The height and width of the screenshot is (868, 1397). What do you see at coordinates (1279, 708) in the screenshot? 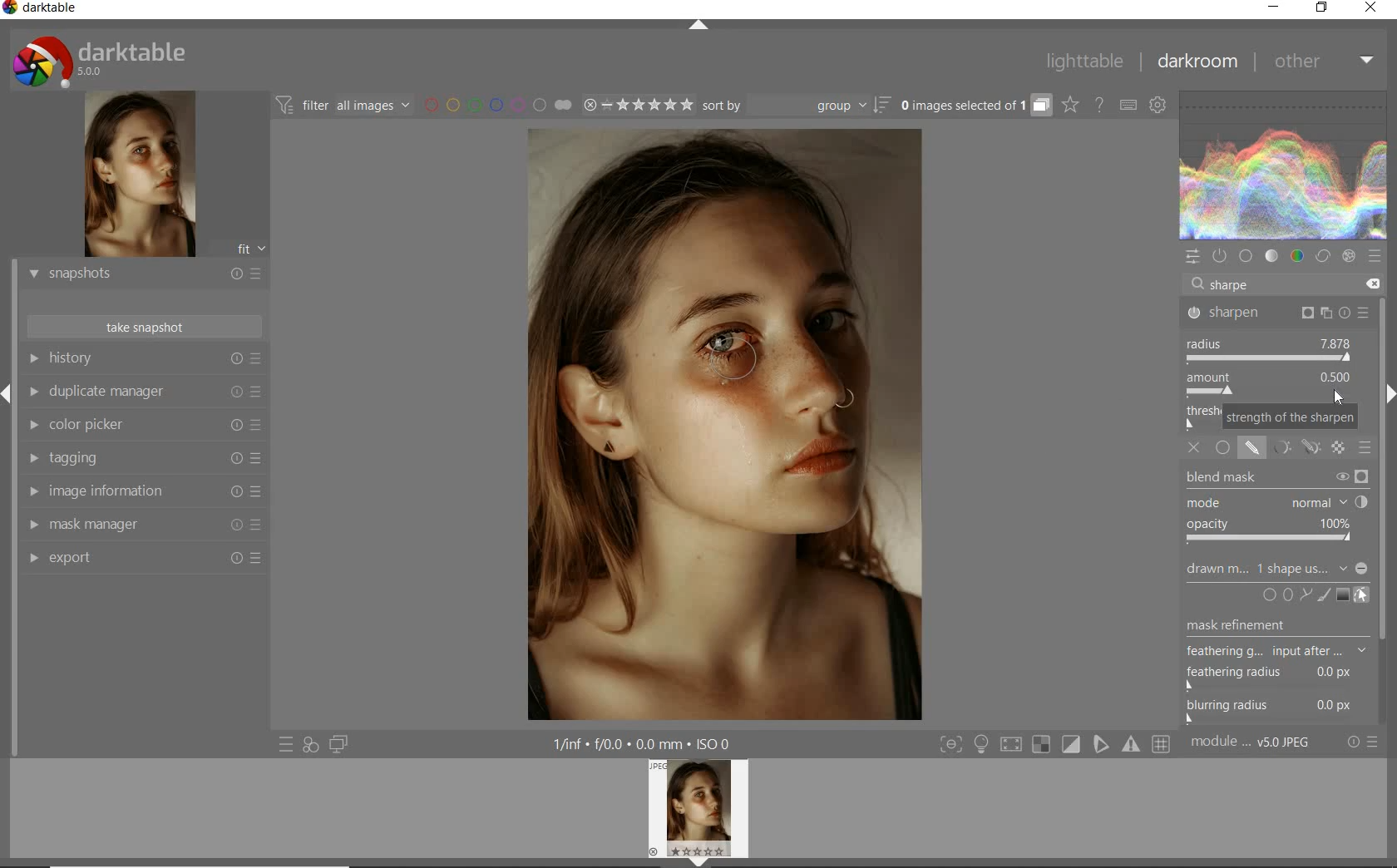
I see `BLURING RADIUS` at bounding box center [1279, 708].